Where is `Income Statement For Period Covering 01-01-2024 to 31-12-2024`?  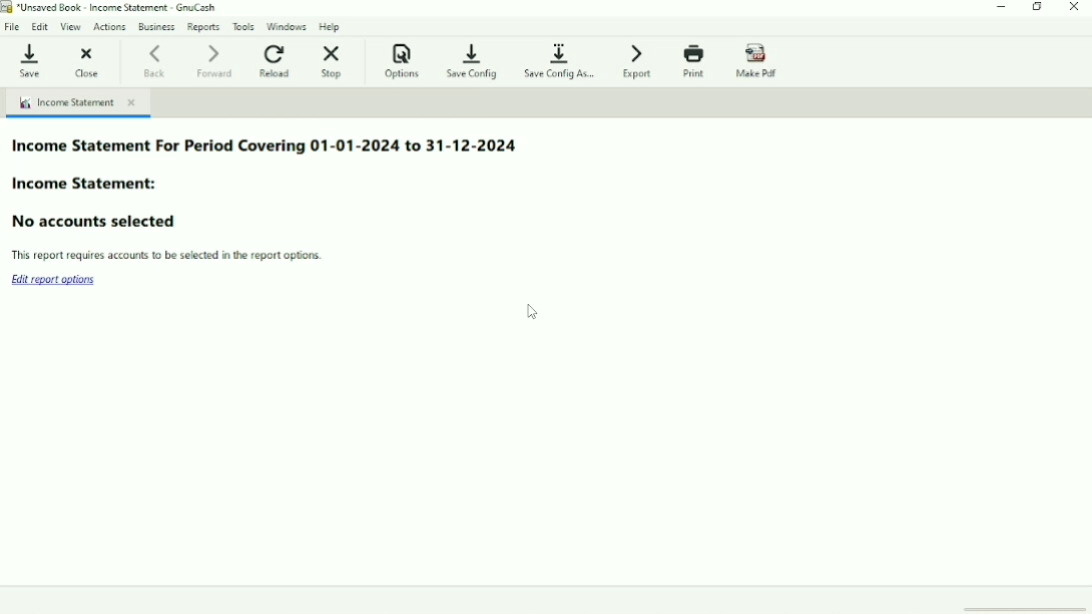 Income Statement For Period Covering 01-01-2024 to 31-12-2024 is located at coordinates (266, 148).